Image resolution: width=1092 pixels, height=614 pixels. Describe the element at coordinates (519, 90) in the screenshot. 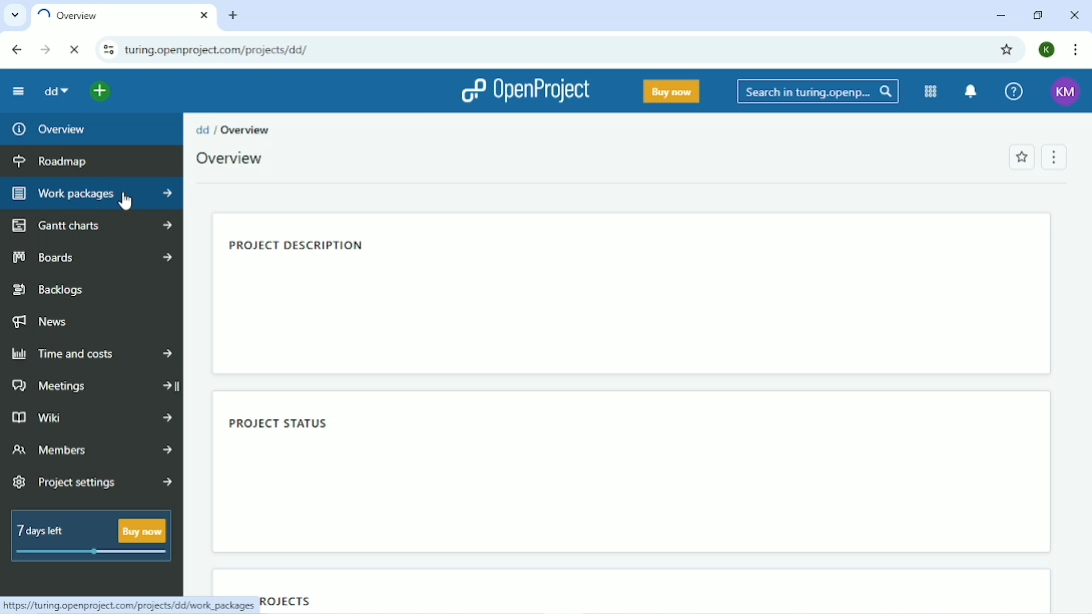

I see `OpenProject` at that location.